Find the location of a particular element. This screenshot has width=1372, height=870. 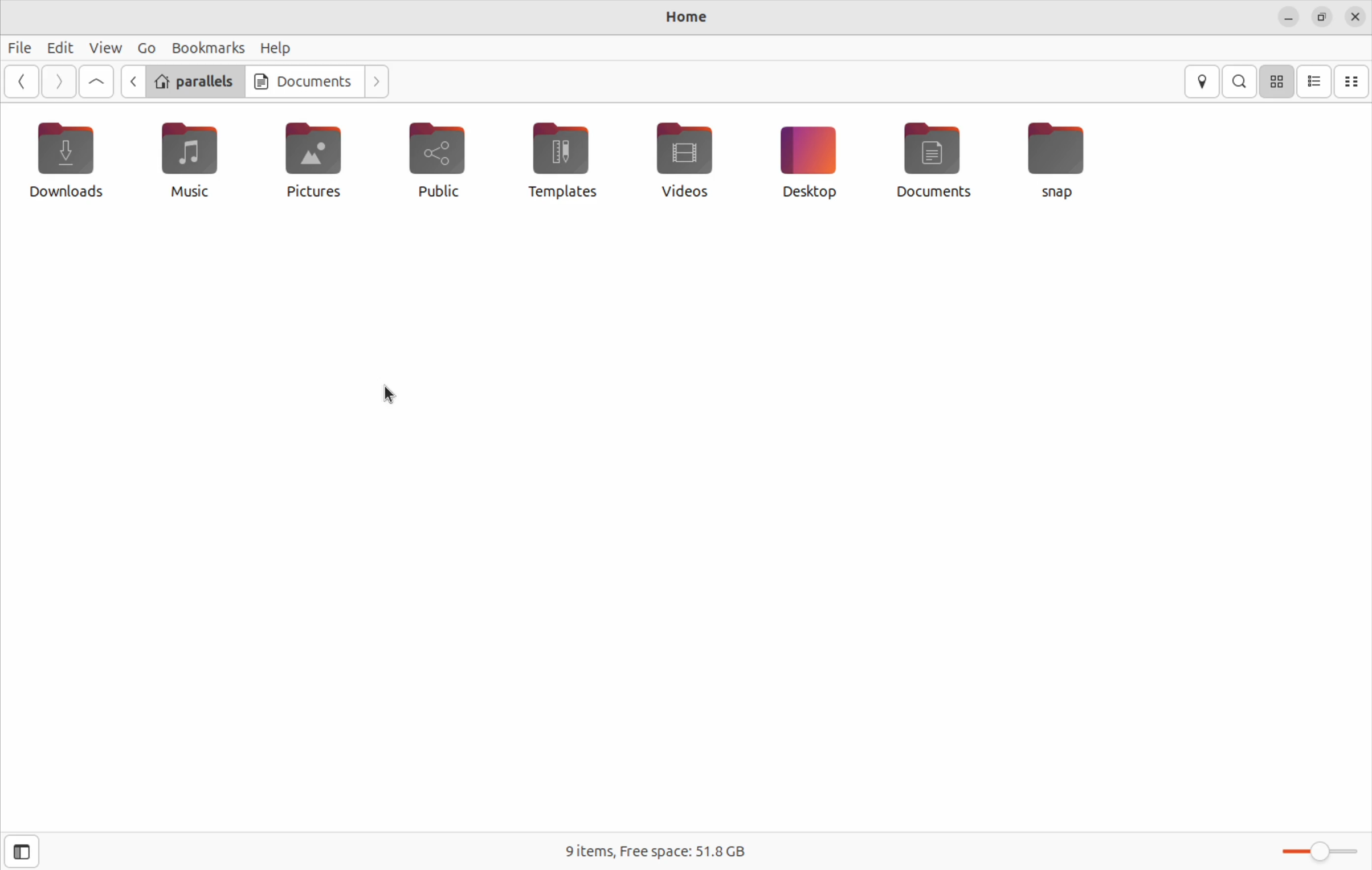

list view is located at coordinates (1313, 82).